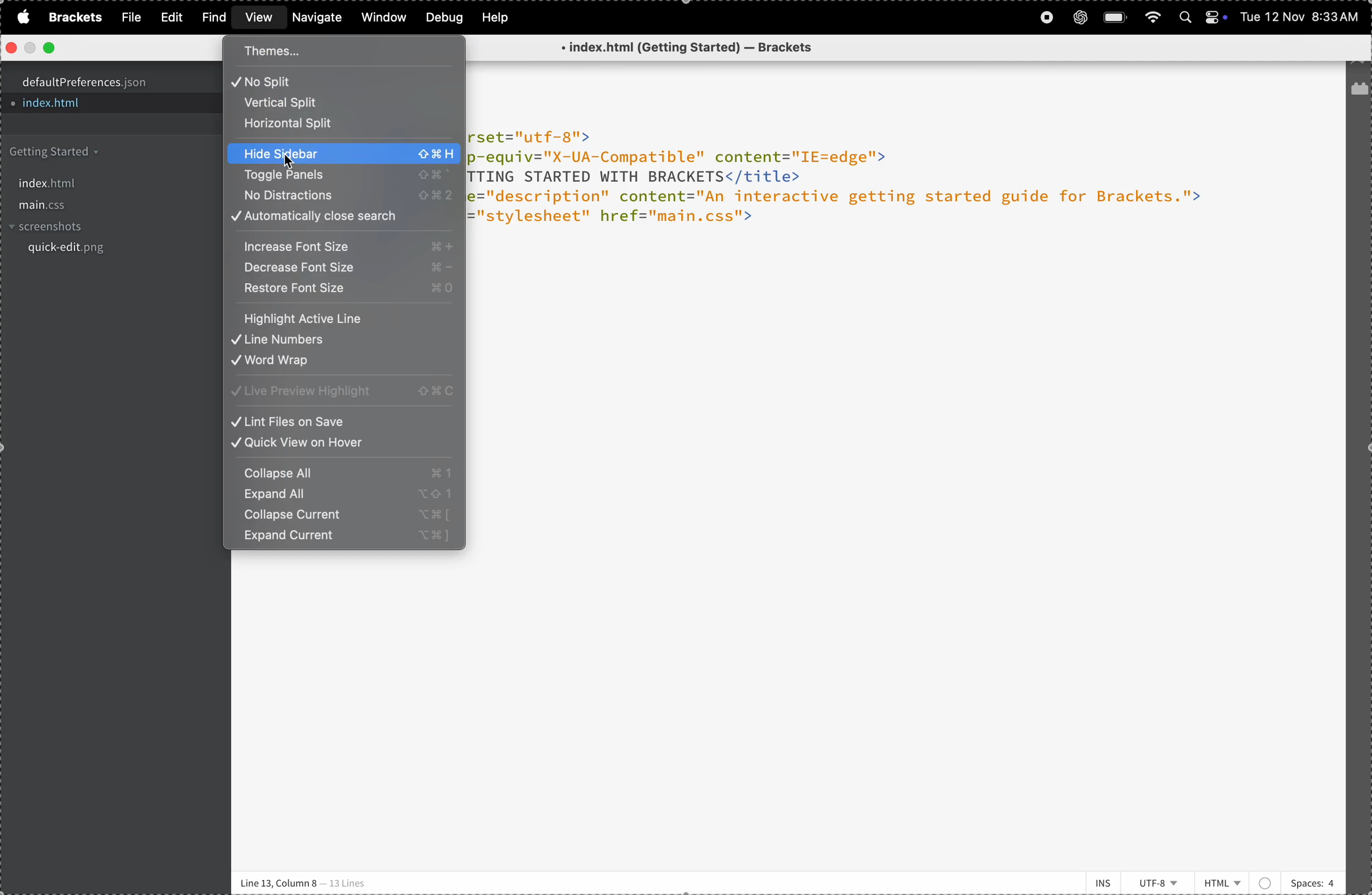 This screenshot has width=1372, height=895. I want to click on chatgpt, so click(1080, 17).